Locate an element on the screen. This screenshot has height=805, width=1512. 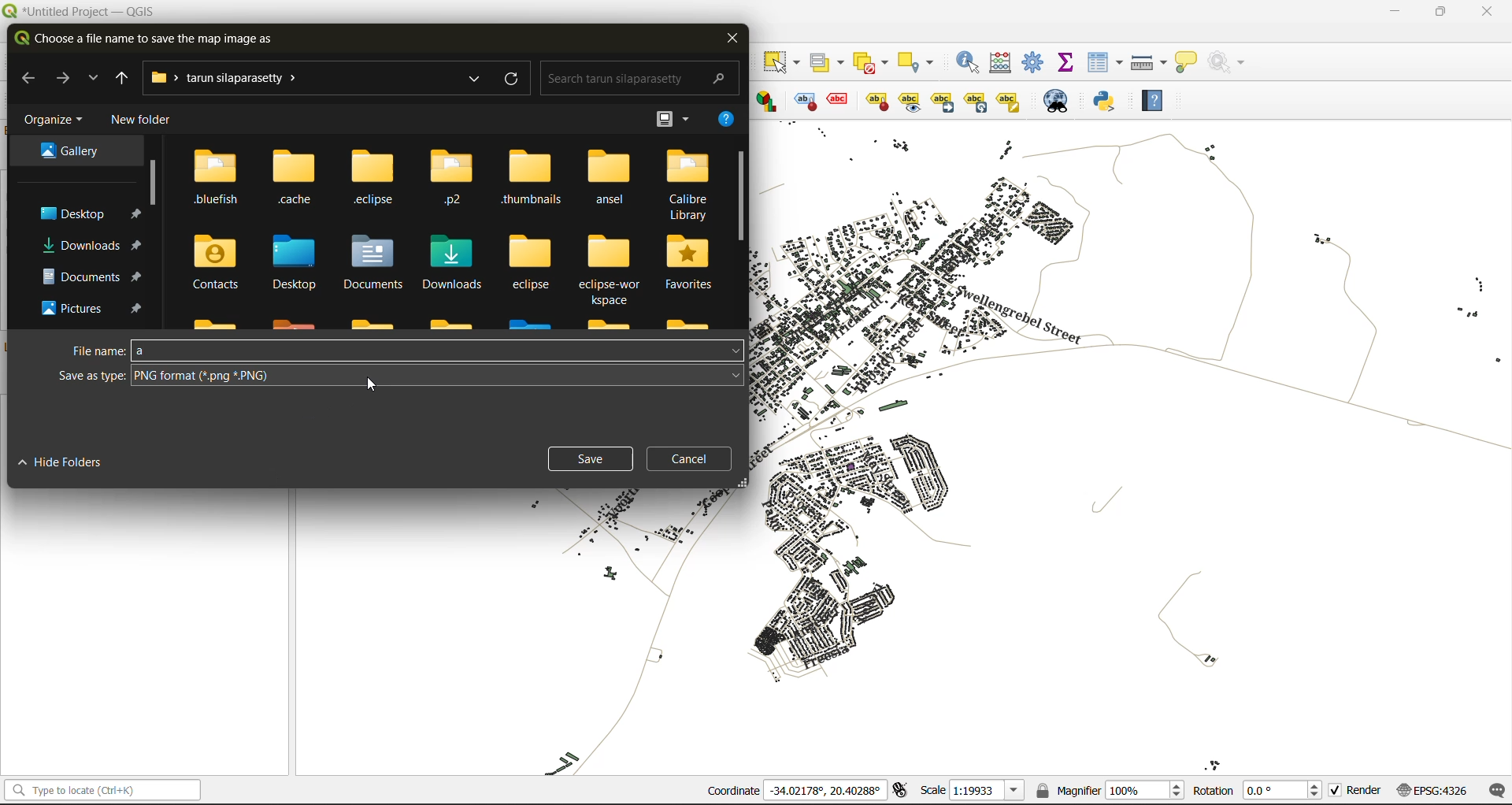
minimize is located at coordinates (1394, 12).